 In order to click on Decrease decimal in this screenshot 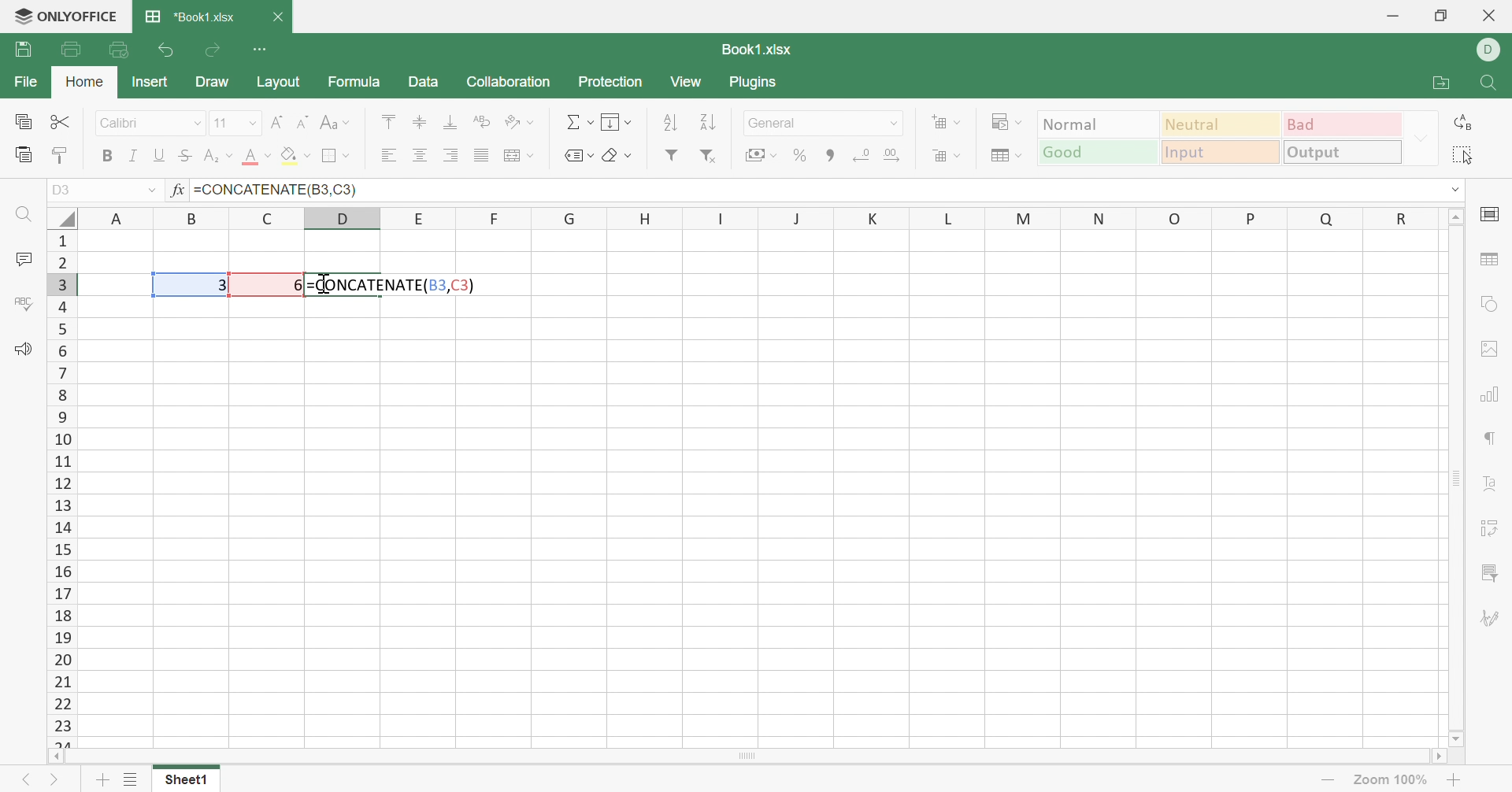, I will do `click(863, 155)`.